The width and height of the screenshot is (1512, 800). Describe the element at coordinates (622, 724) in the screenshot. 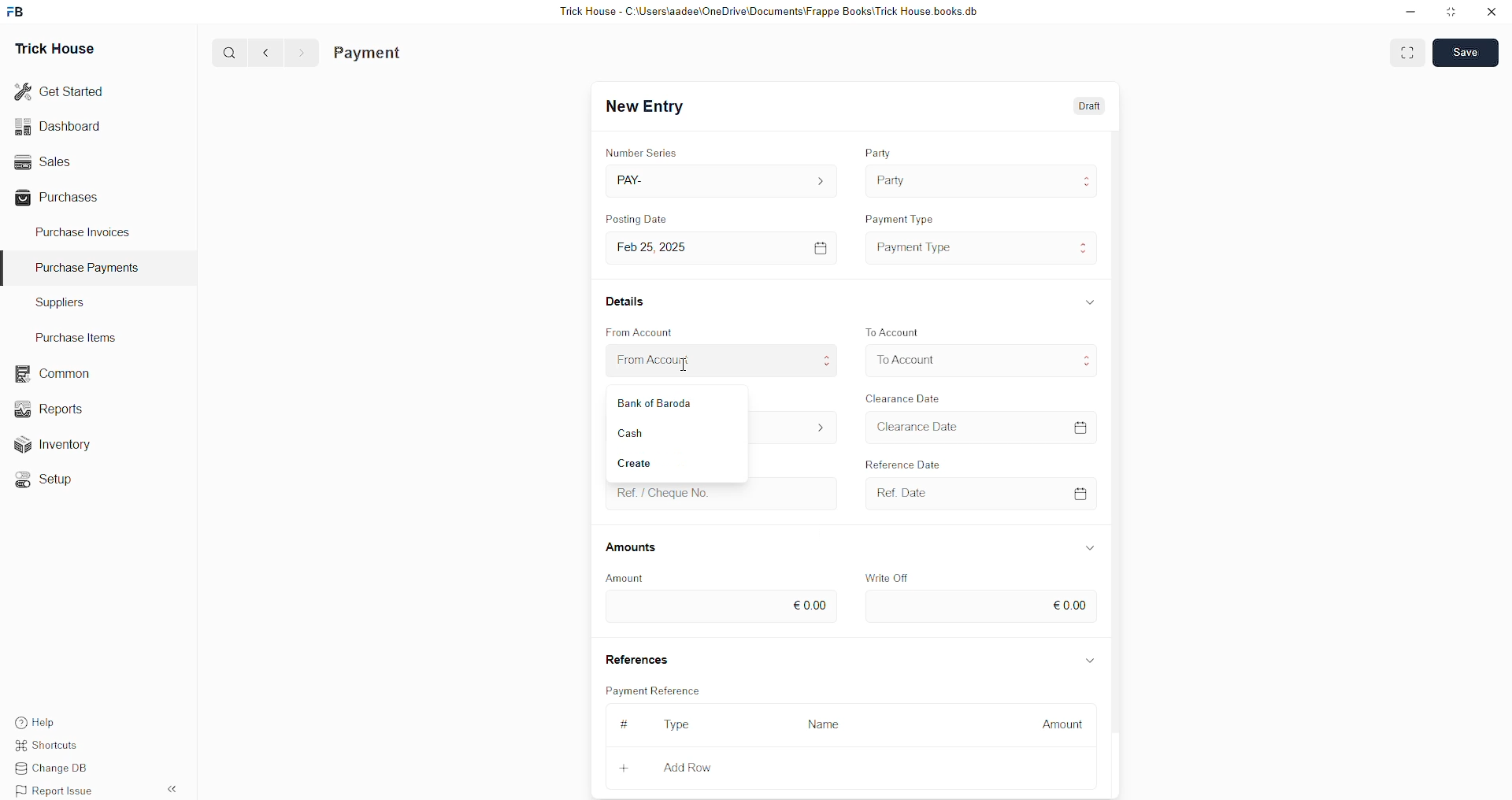

I see `#` at that location.